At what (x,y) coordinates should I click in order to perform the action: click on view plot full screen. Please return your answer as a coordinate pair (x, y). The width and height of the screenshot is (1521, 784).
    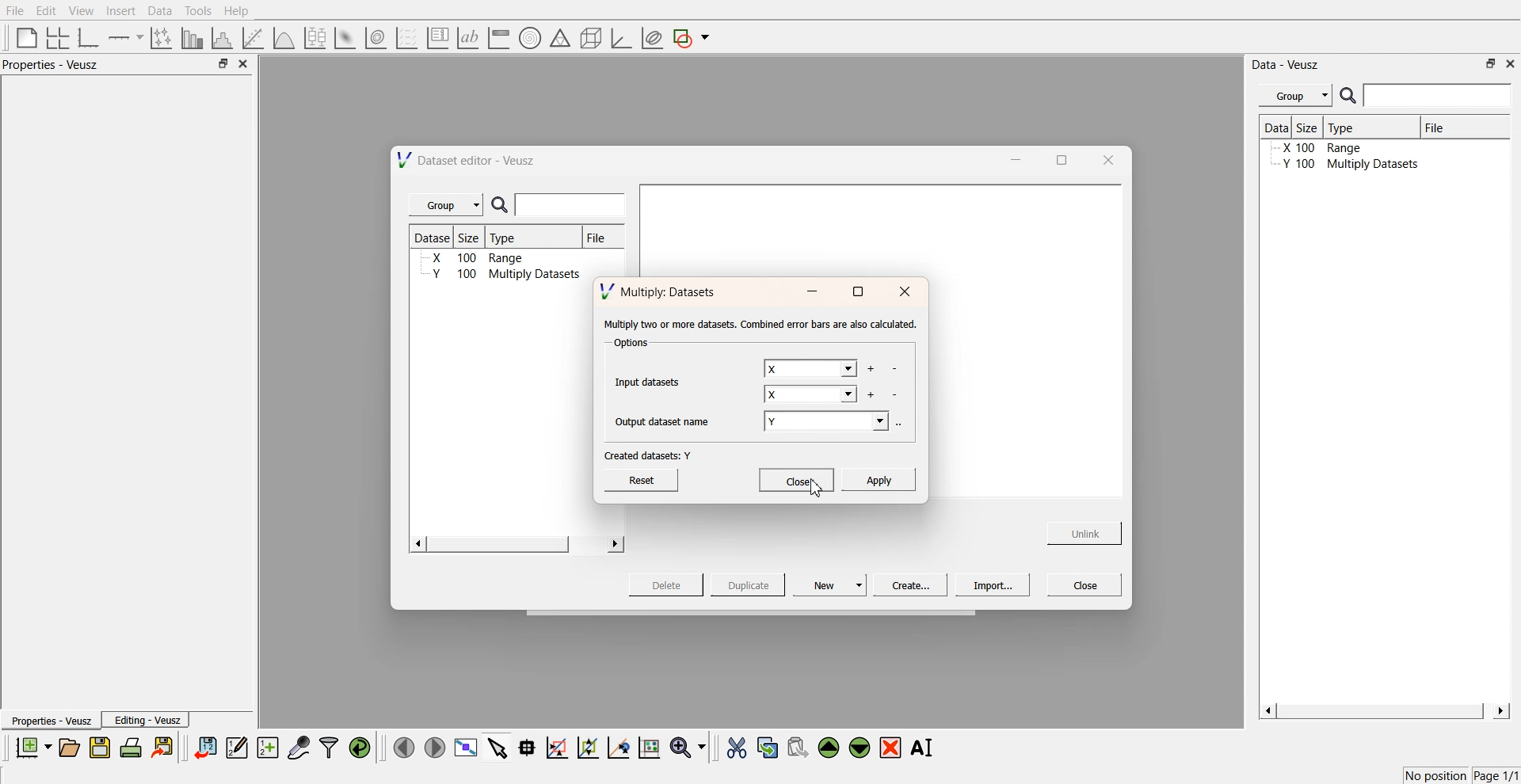
    Looking at the image, I should click on (465, 748).